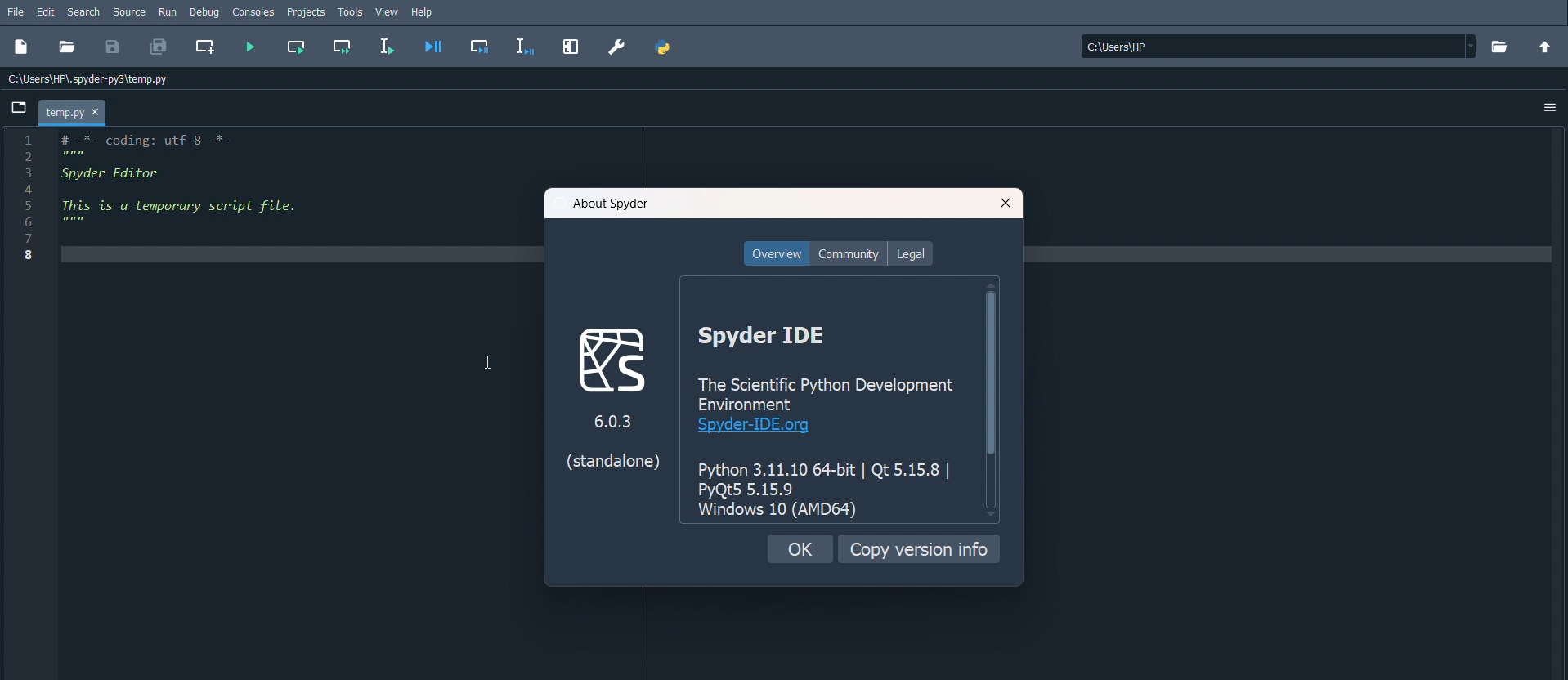  I want to click on PYTHONPATH manager, so click(666, 47).